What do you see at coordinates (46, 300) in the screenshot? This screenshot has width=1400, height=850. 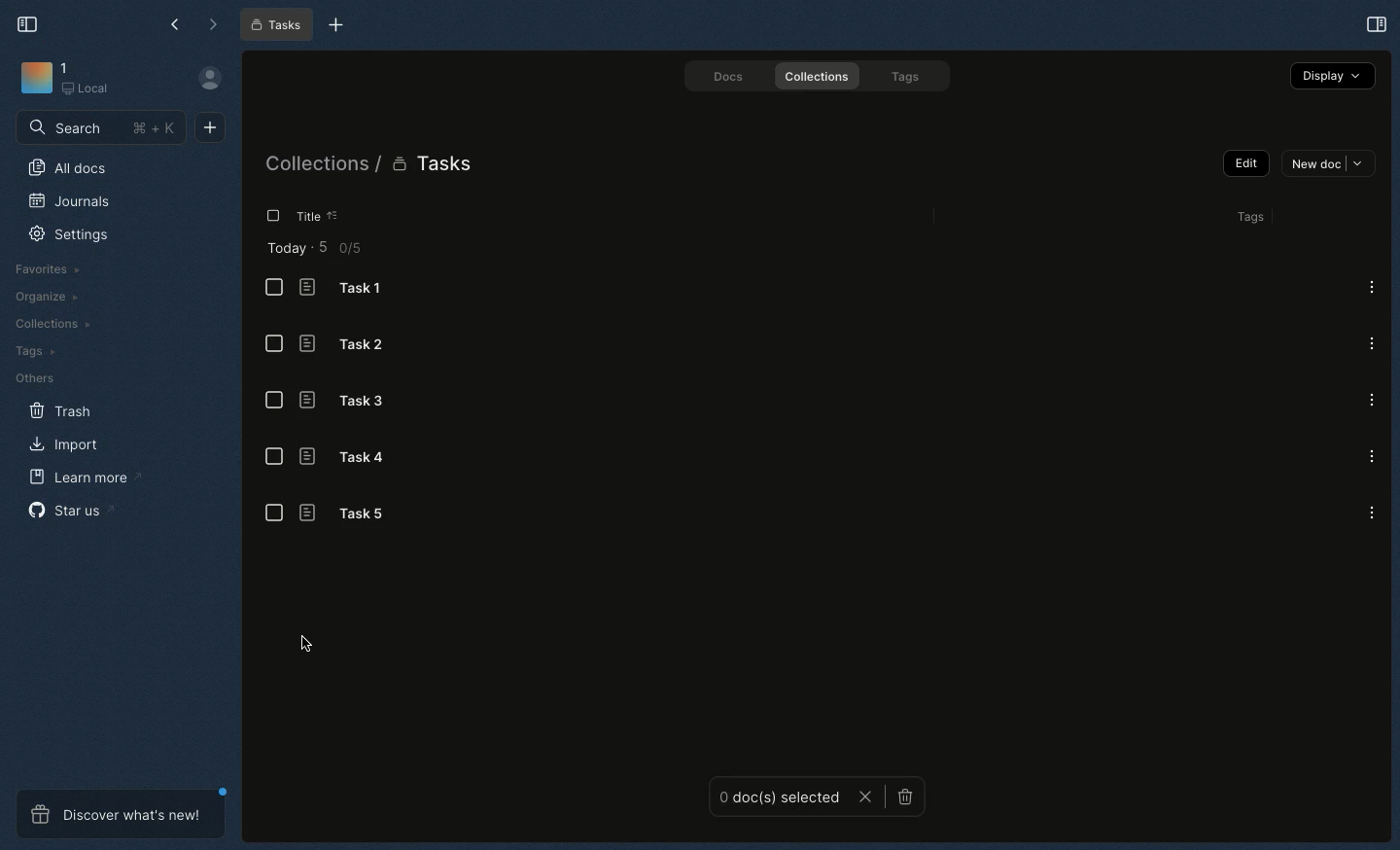 I see `Organize` at bounding box center [46, 300].